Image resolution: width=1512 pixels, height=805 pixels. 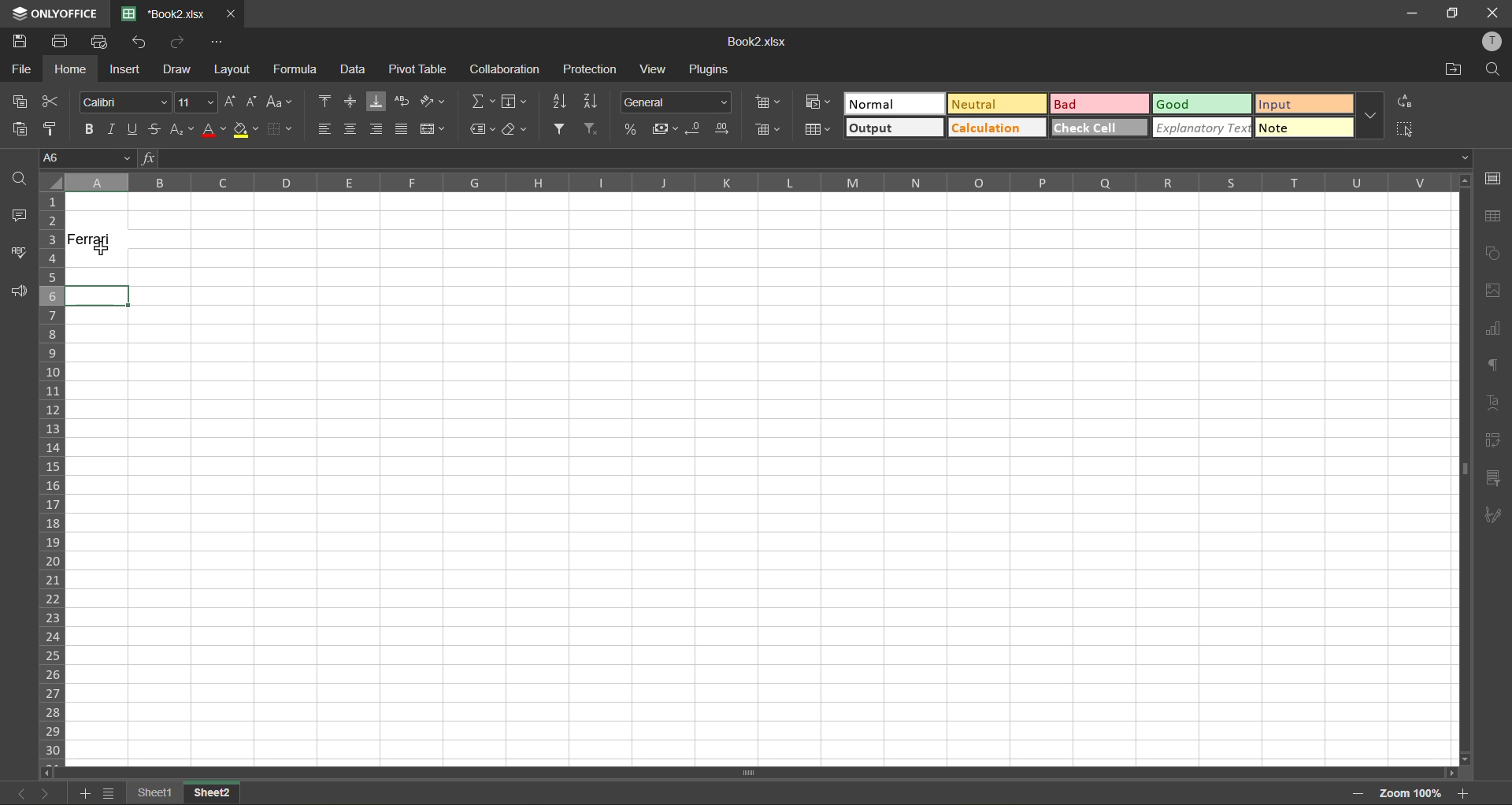 What do you see at coordinates (120, 293) in the screenshot?
I see `selected box` at bounding box center [120, 293].